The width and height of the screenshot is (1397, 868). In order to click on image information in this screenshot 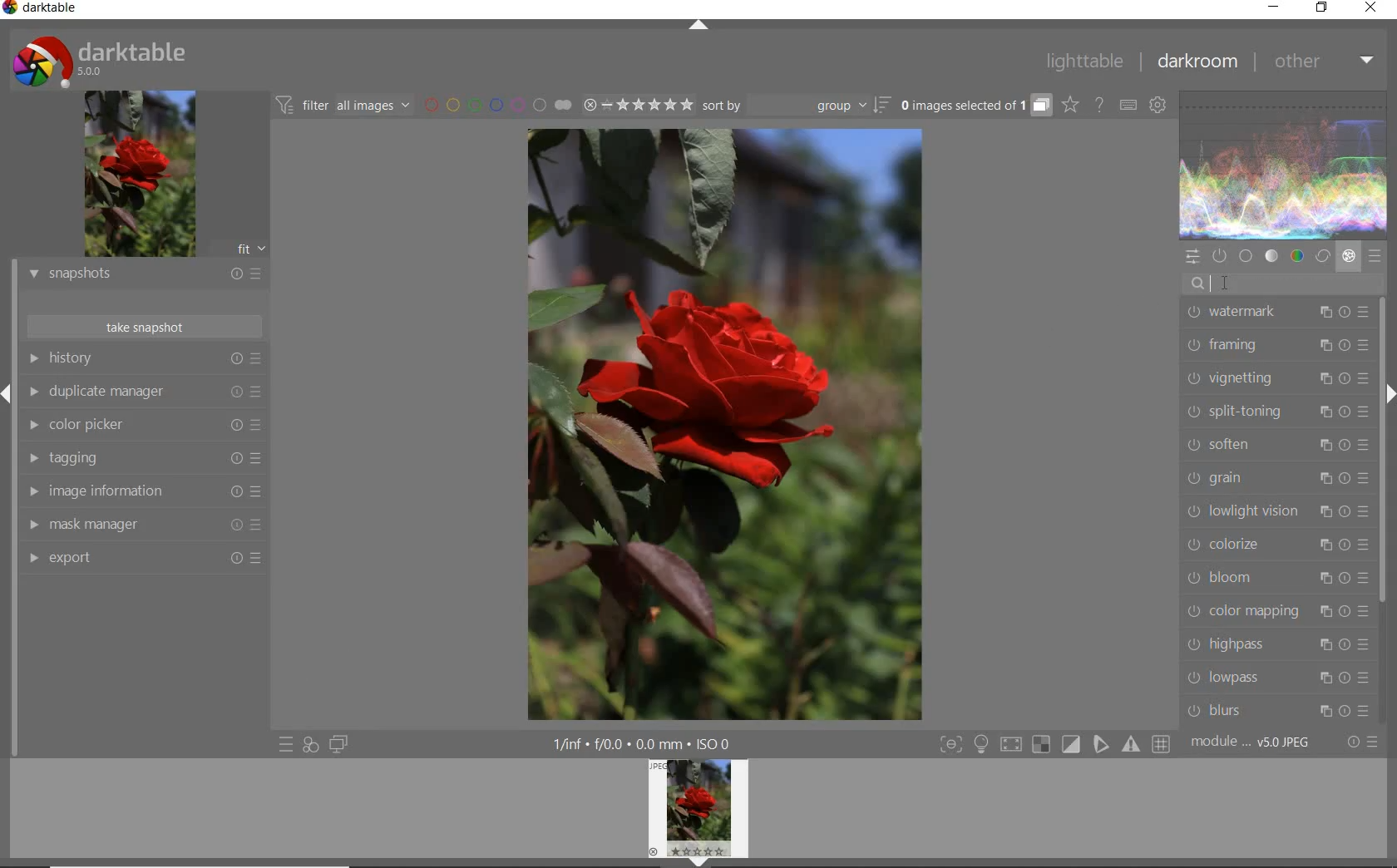, I will do `click(142, 491)`.